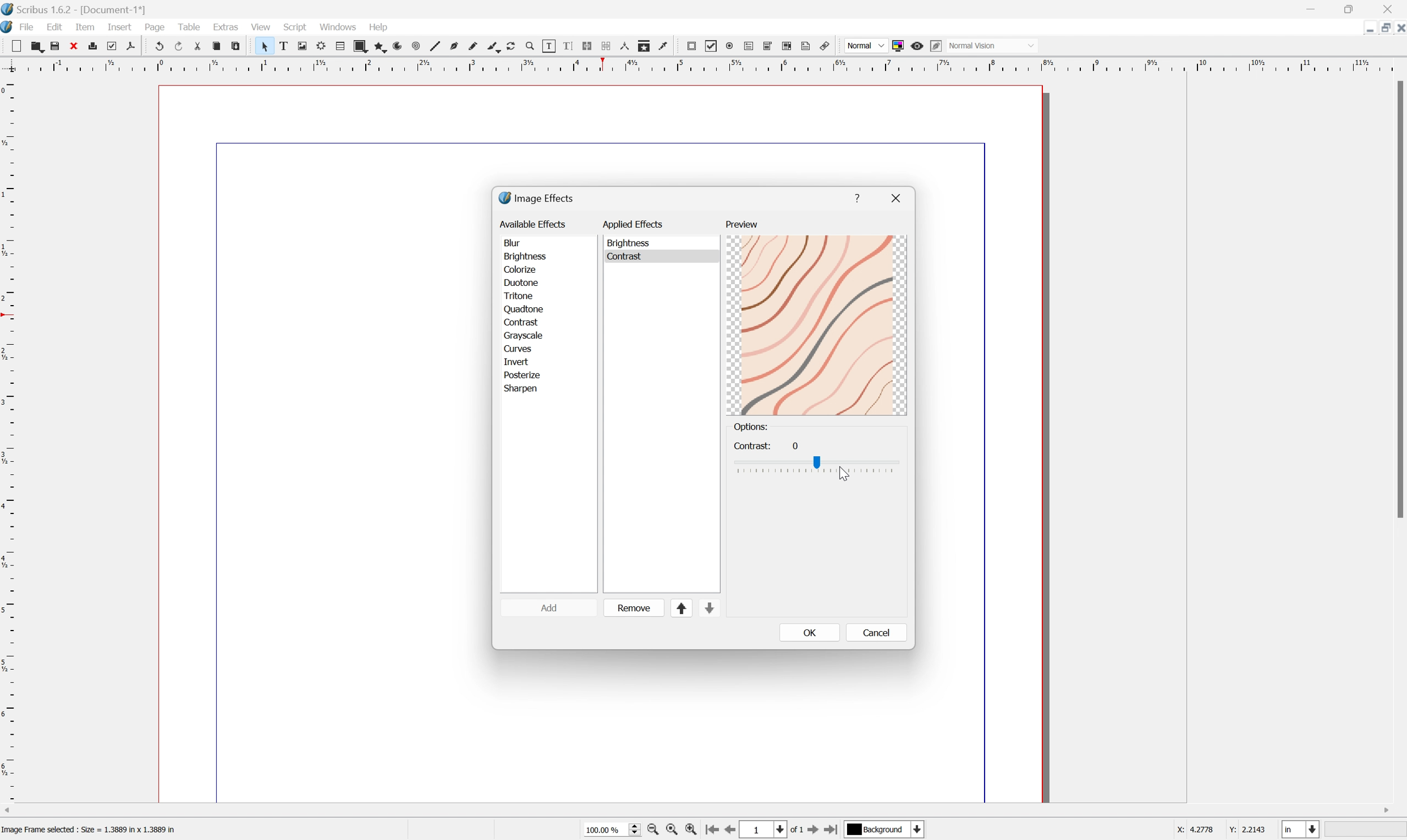  I want to click on Zoom Out, so click(652, 831).